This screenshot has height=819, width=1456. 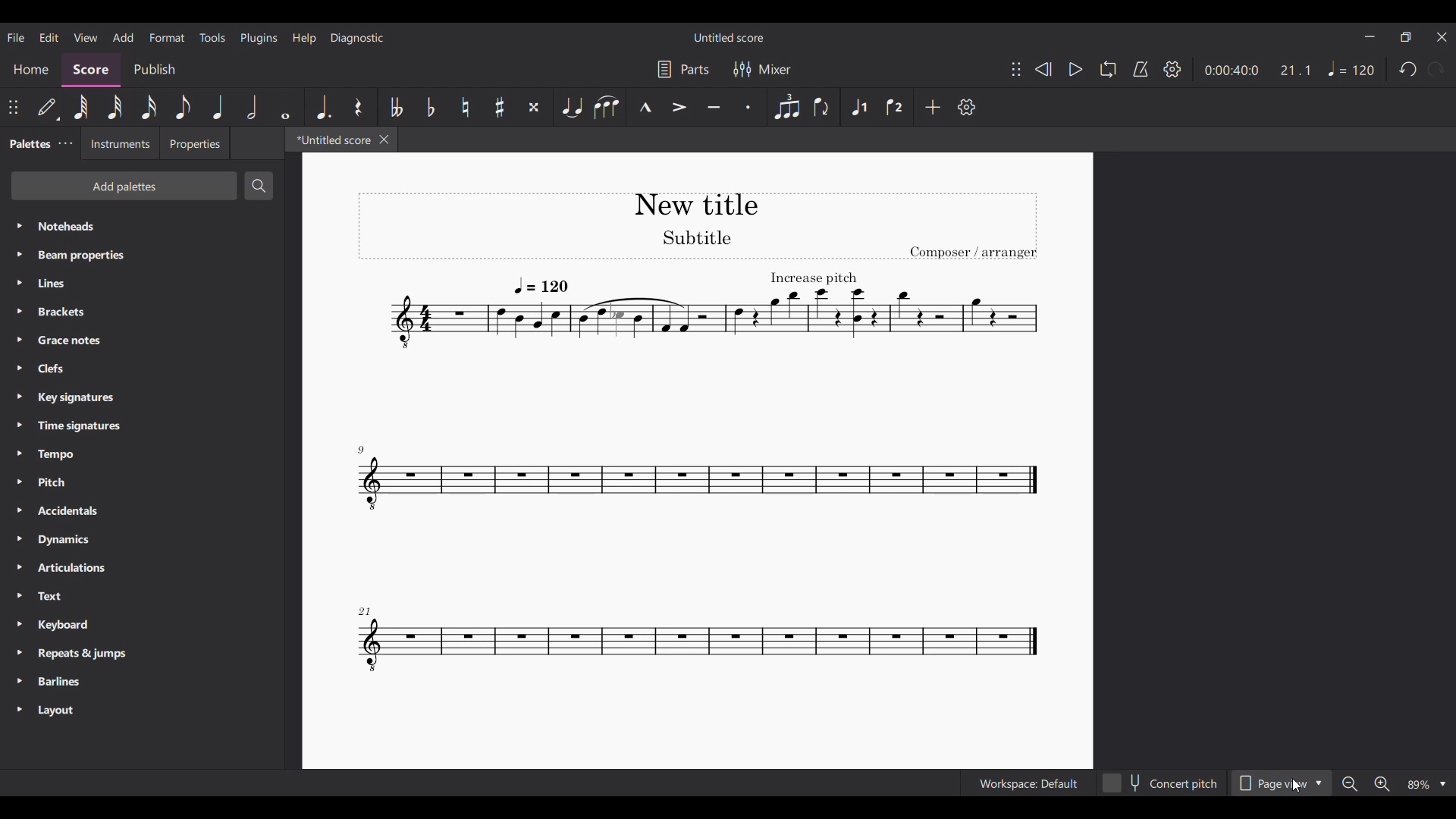 What do you see at coordinates (858, 107) in the screenshot?
I see `Voice 1` at bounding box center [858, 107].